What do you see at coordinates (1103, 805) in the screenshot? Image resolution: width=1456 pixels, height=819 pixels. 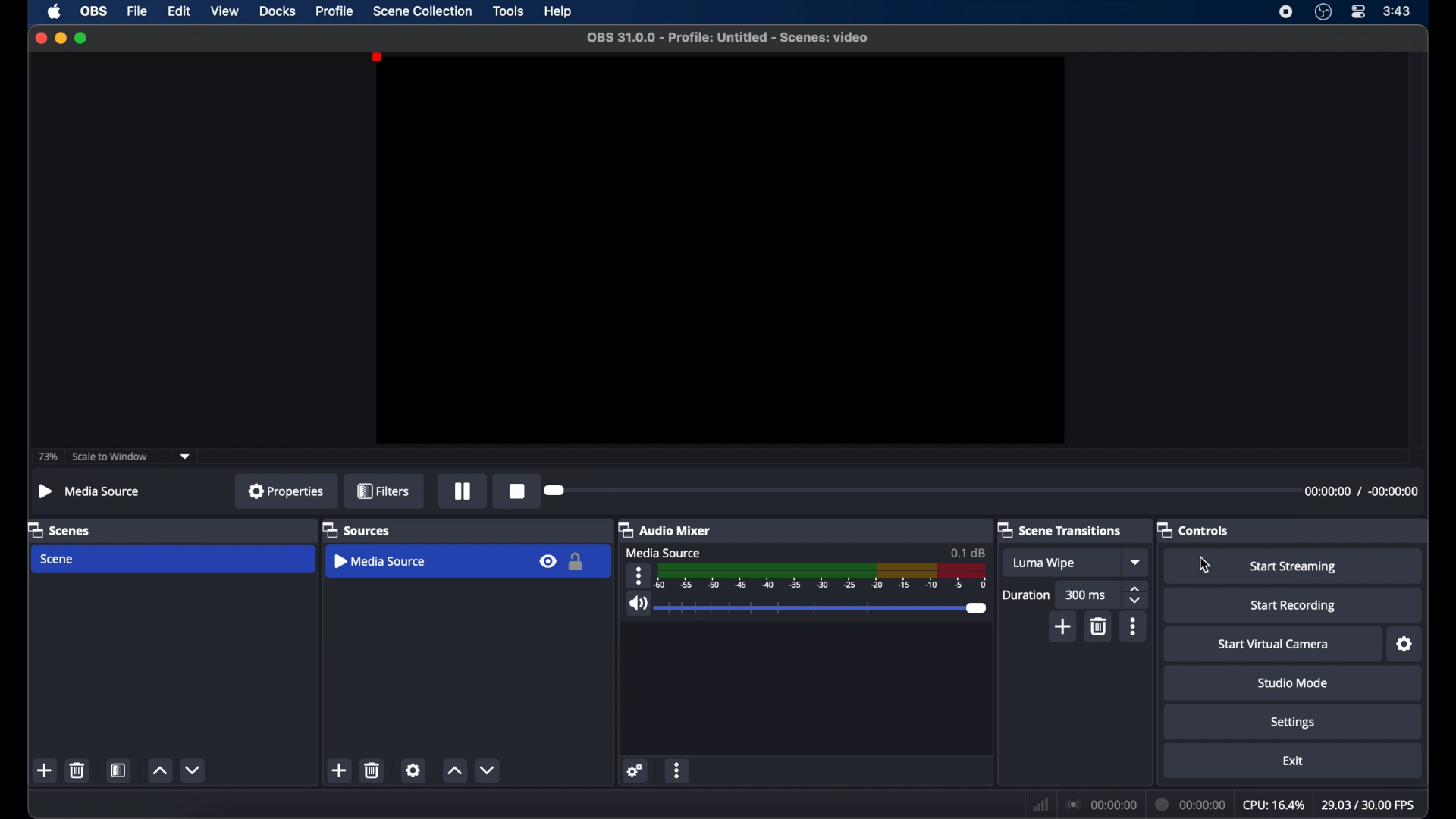 I see `00:00:00` at bounding box center [1103, 805].